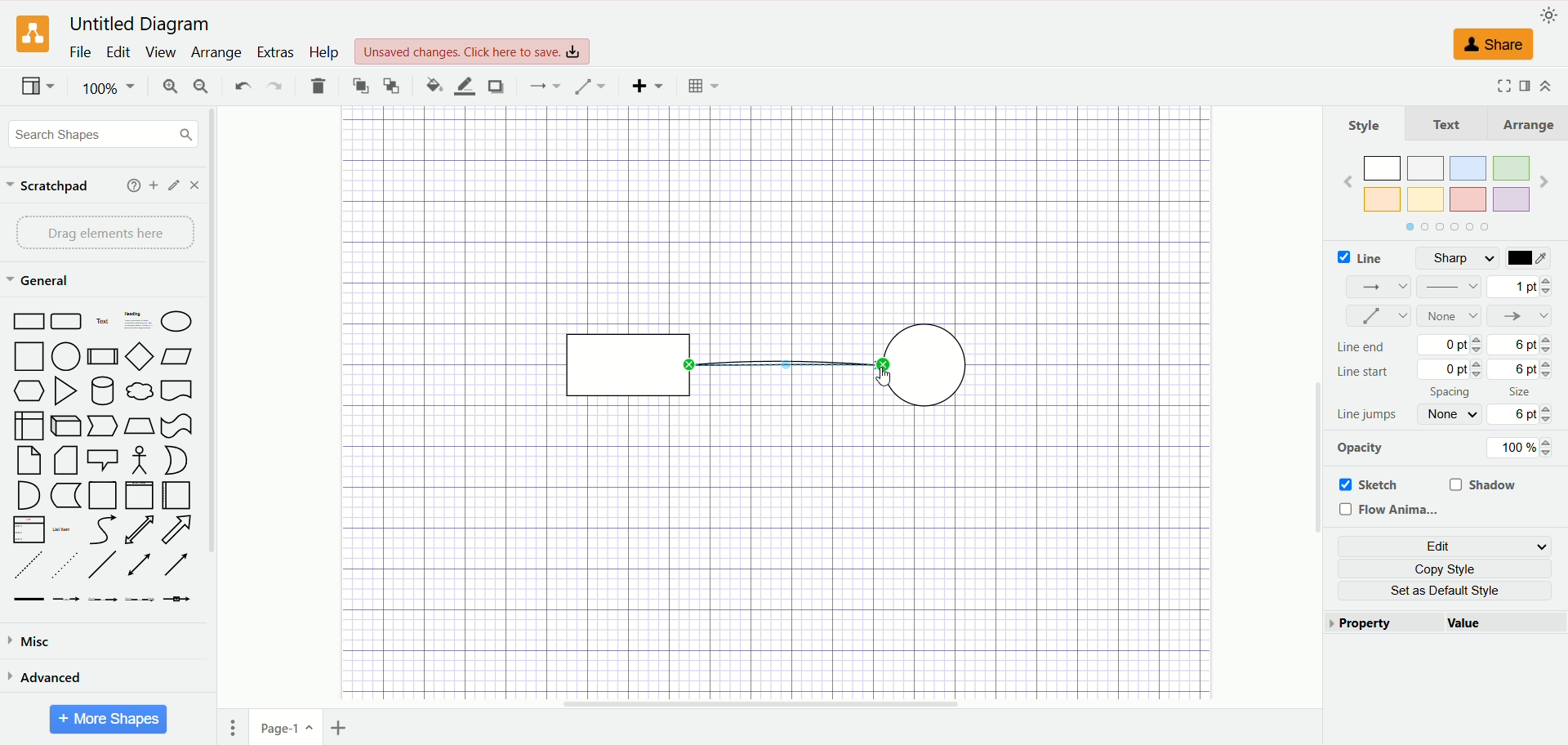 Image resolution: width=1568 pixels, height=745 pixels. What do you see at coordinates (1446, 590) in the screenshot?
I see `set as default style` at bounding box center [1446, 590].